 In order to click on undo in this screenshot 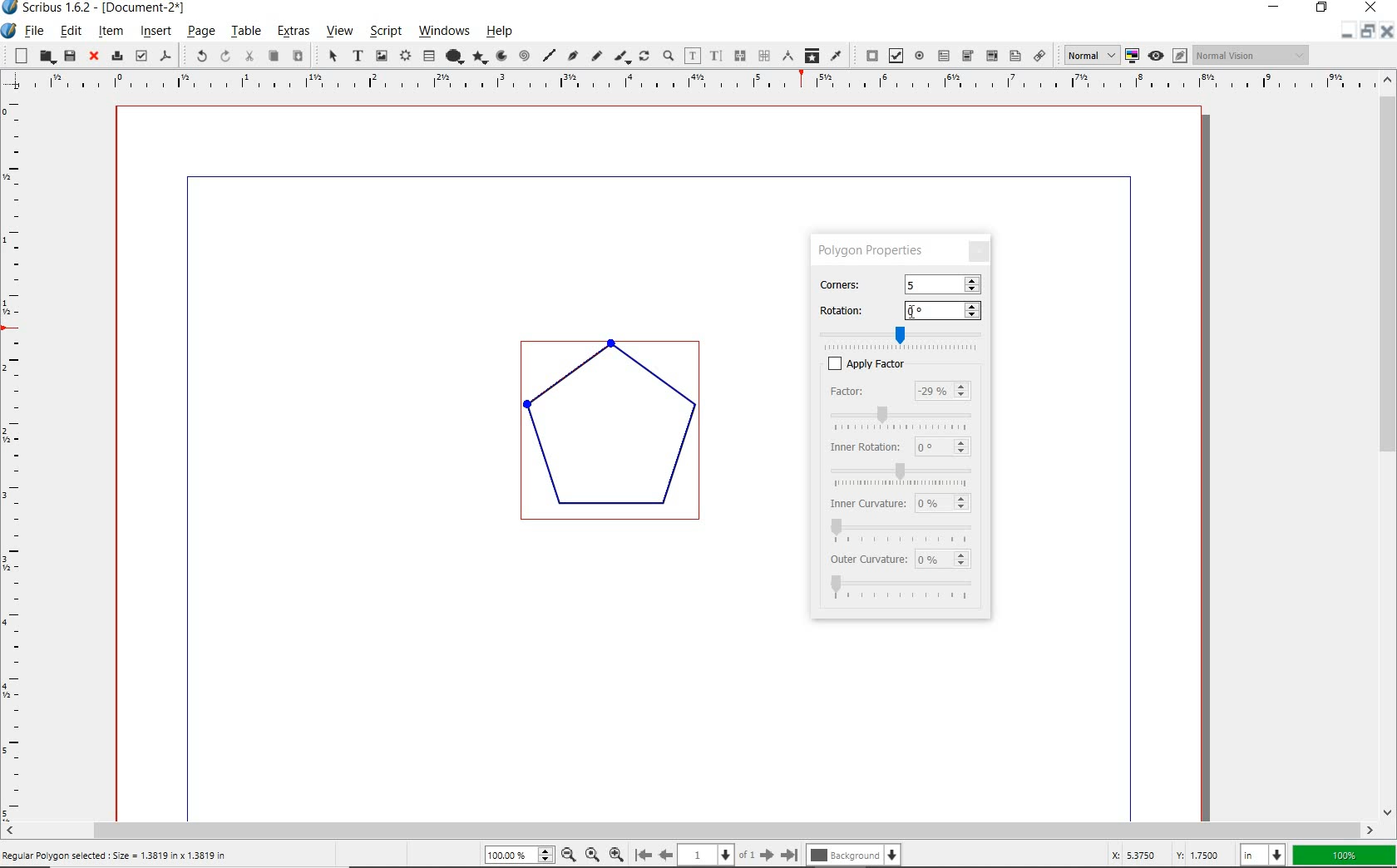, I will do `click(195, 56)`.